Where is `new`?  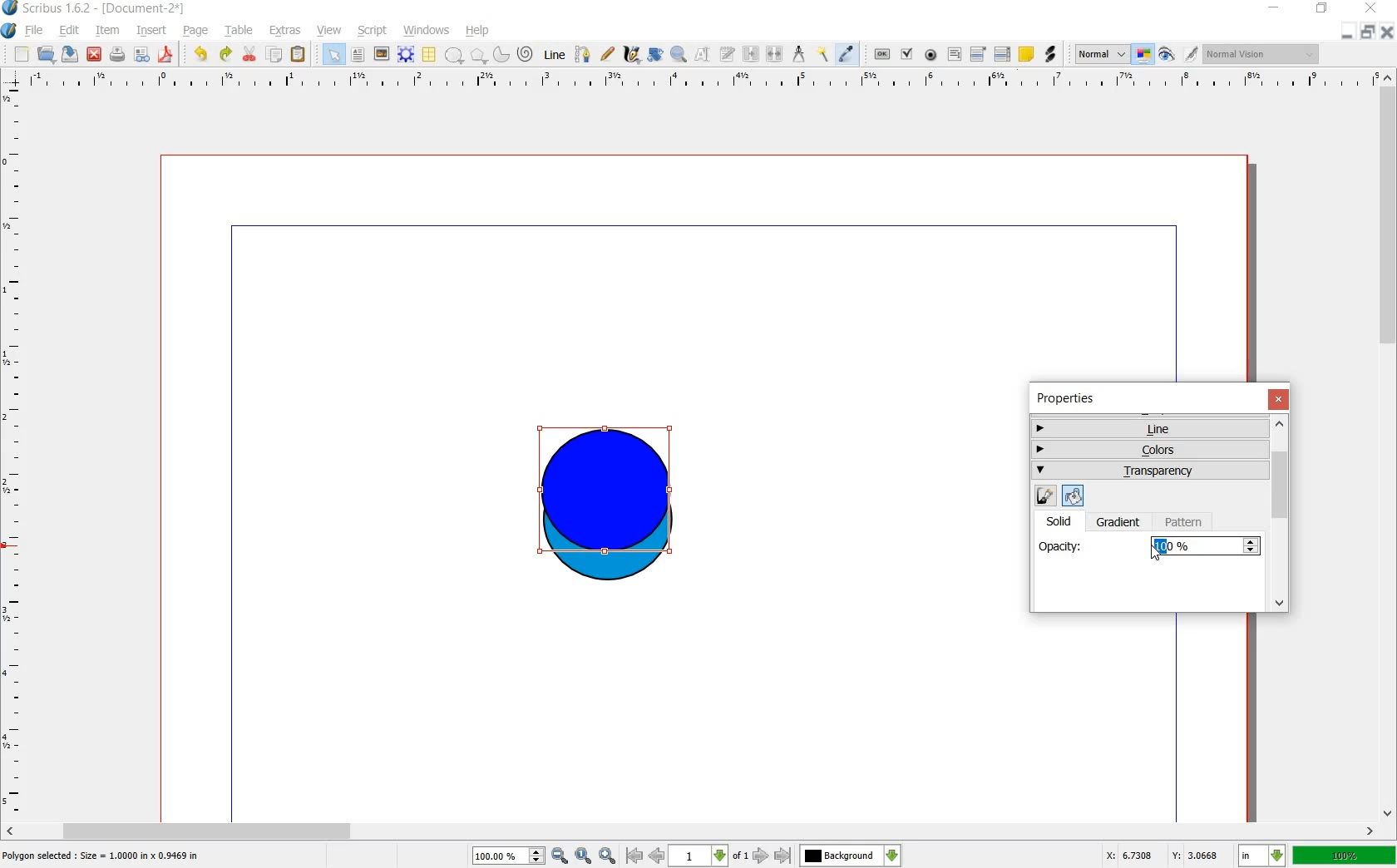
new is located at coordinates (22, 55).